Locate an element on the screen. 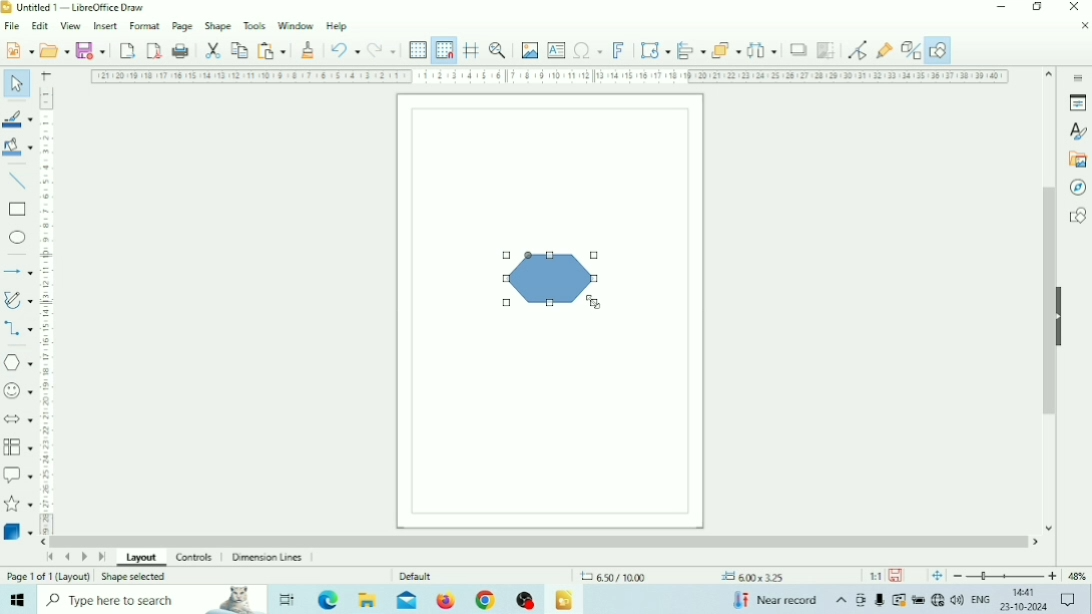 This screenshot has height=614, width=1092. Transformations is located at coordinates (654, 49).